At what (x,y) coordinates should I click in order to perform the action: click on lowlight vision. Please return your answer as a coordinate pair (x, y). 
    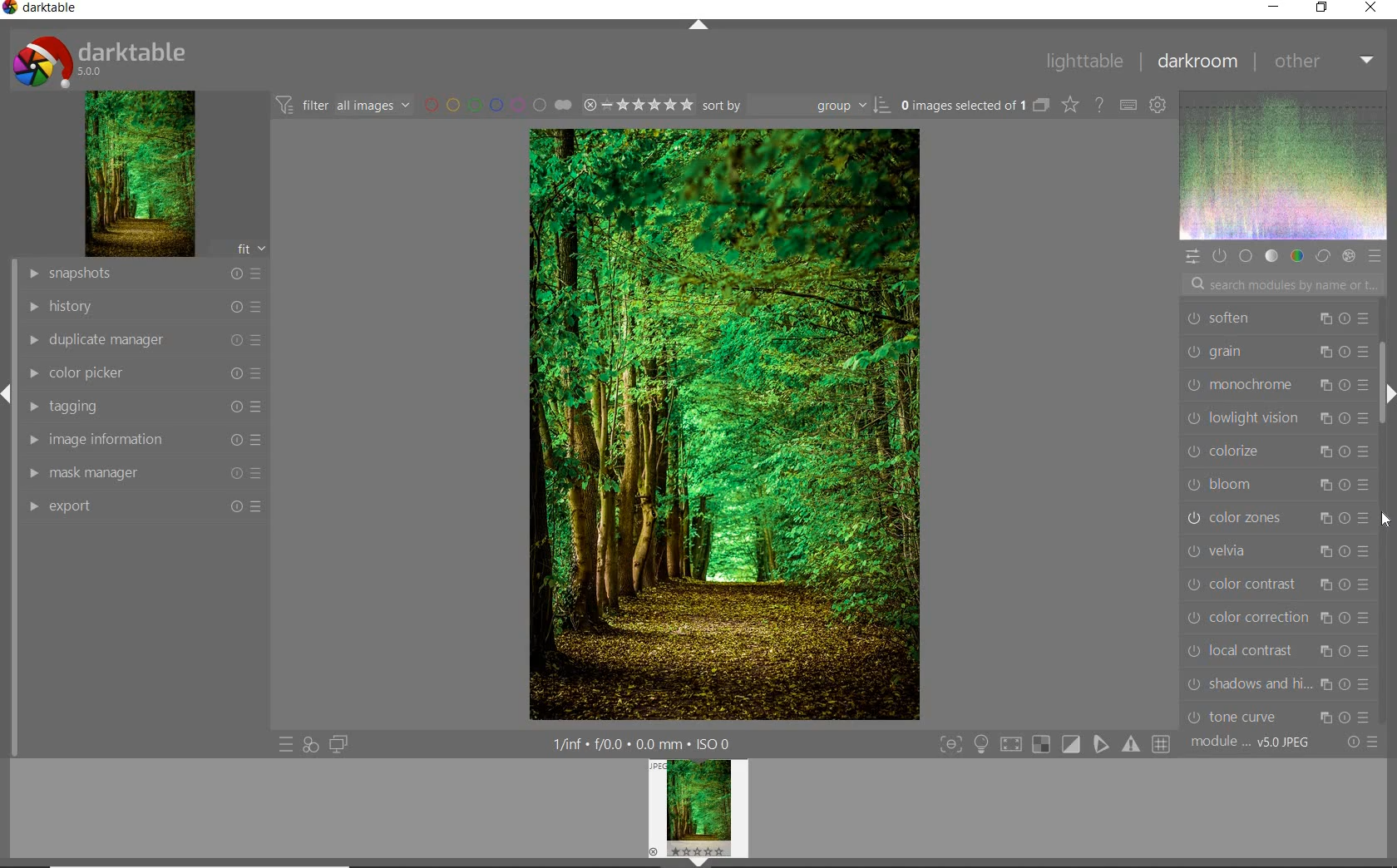
    Looking at the image, I should click on (1278, 417).